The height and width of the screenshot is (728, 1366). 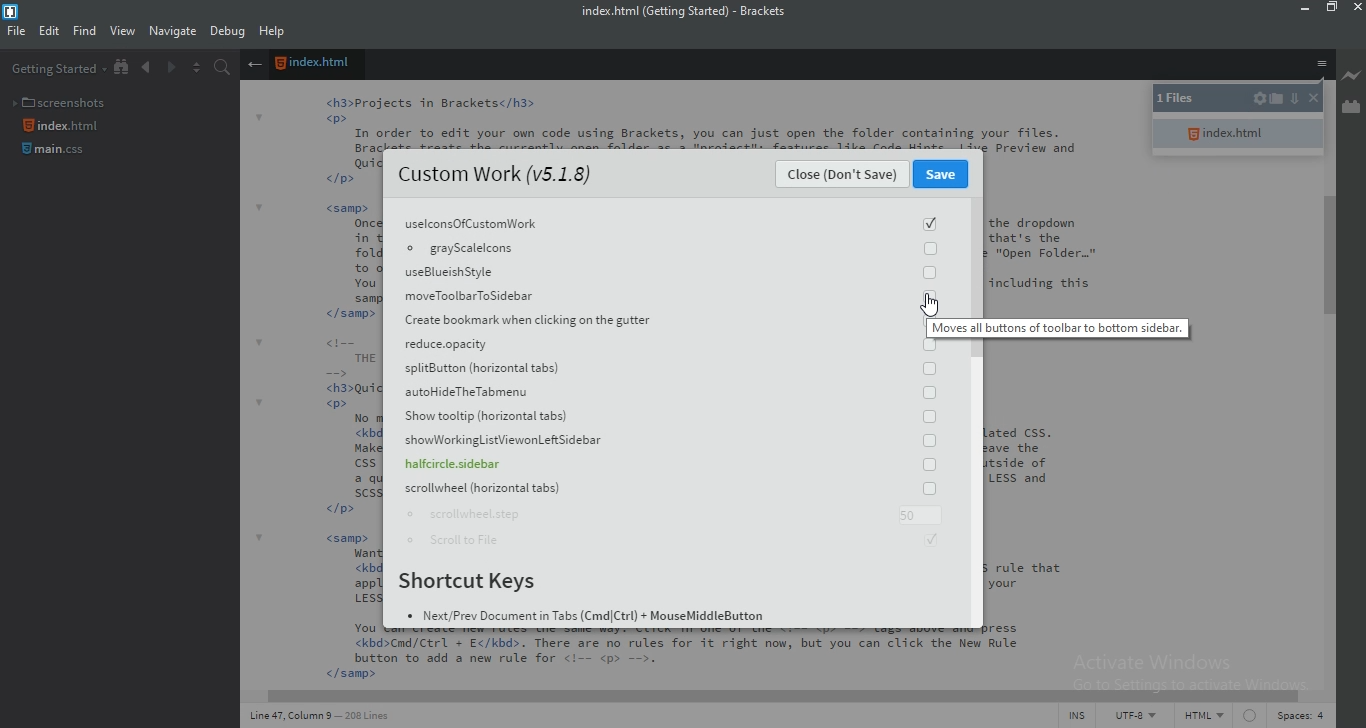 What do you see at coordinates (1279, 102) in the screenshot?
I see `open folder` at bounding box center [1279, 102].